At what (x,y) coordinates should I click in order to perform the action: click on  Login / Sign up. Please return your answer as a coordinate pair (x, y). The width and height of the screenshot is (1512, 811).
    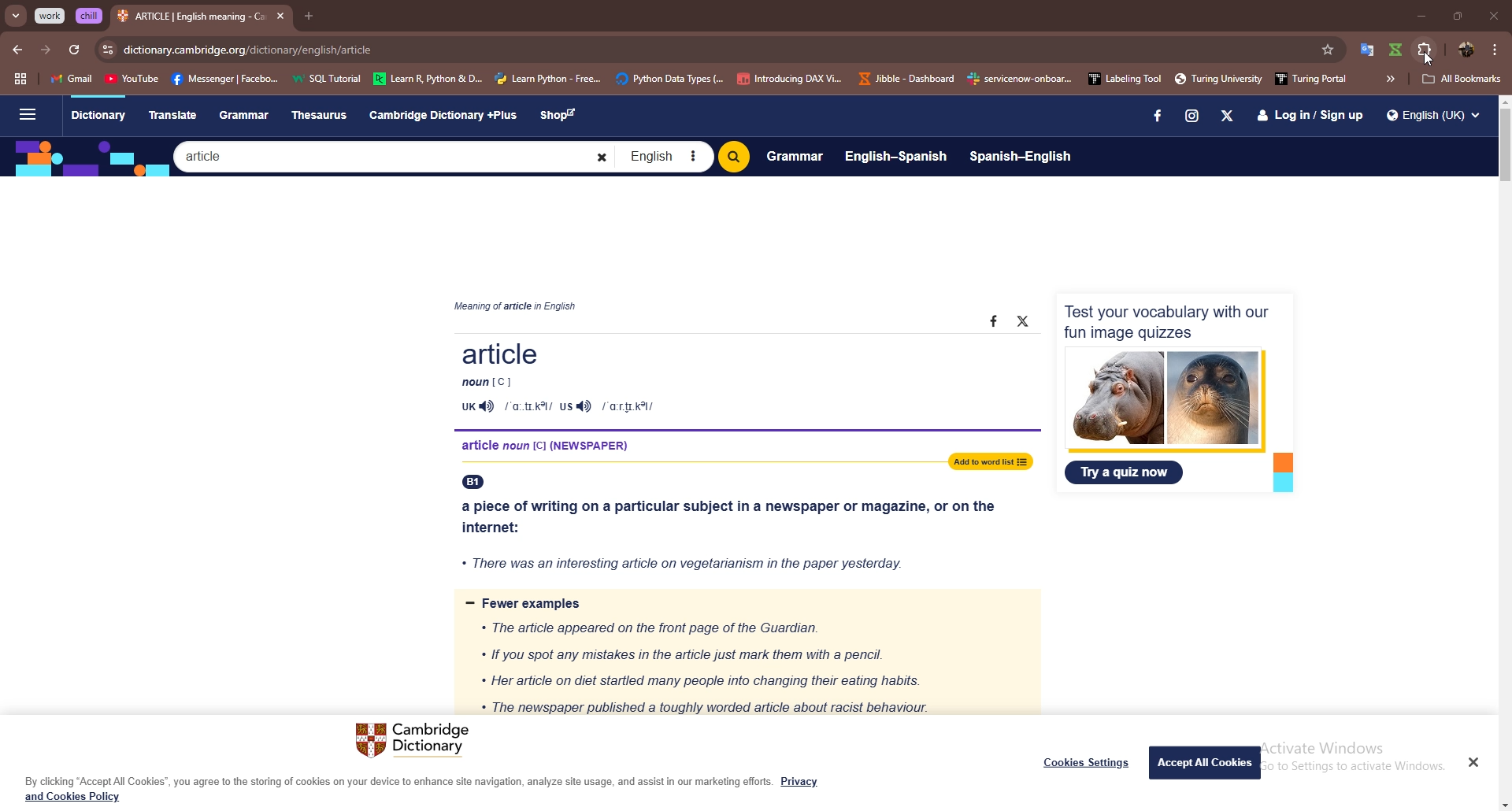
    Looking at the image, I should click on (1315, 115).